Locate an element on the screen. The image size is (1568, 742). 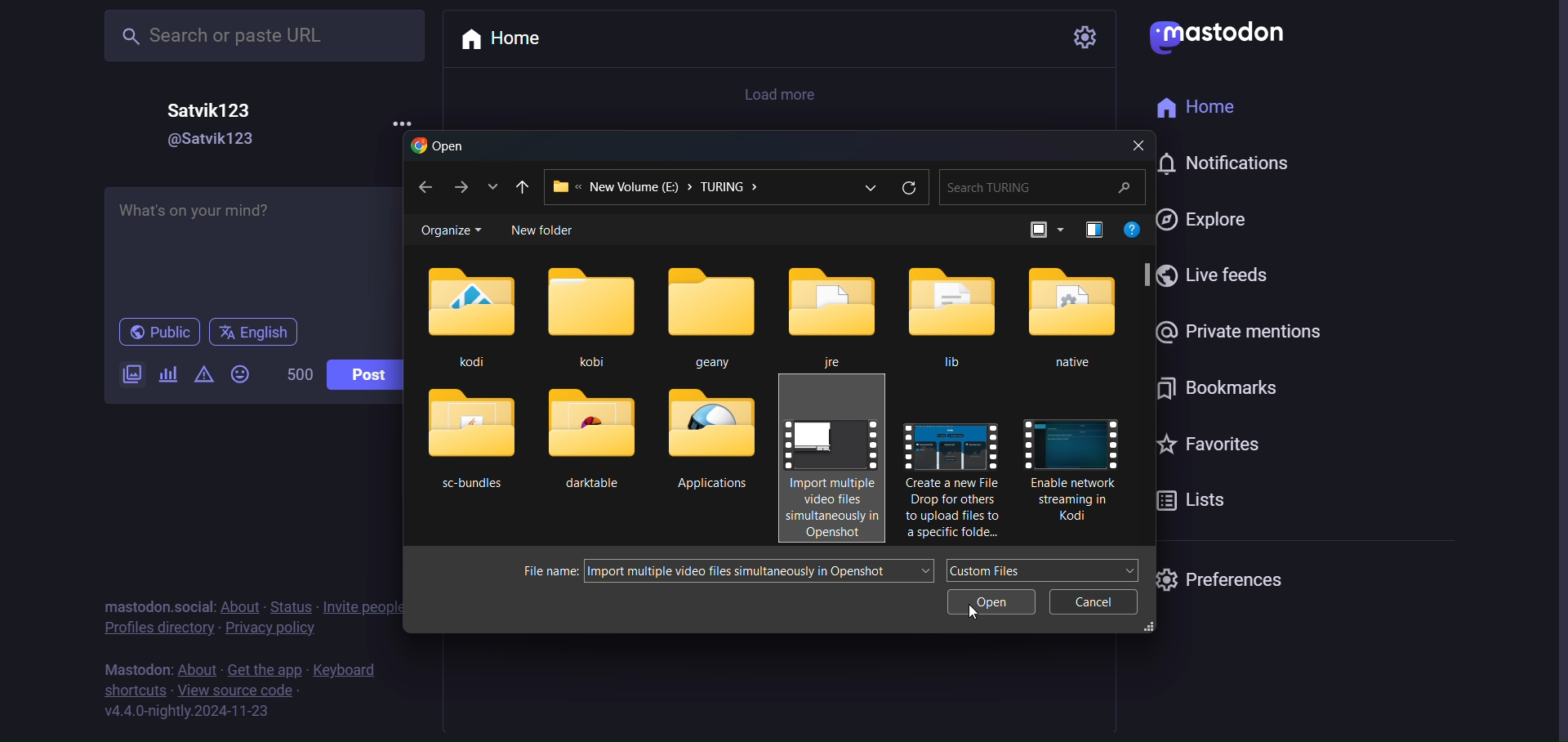
Create a new File
Drop for others
to upload files to
a specific folde... is located at coordinates (950, 477).